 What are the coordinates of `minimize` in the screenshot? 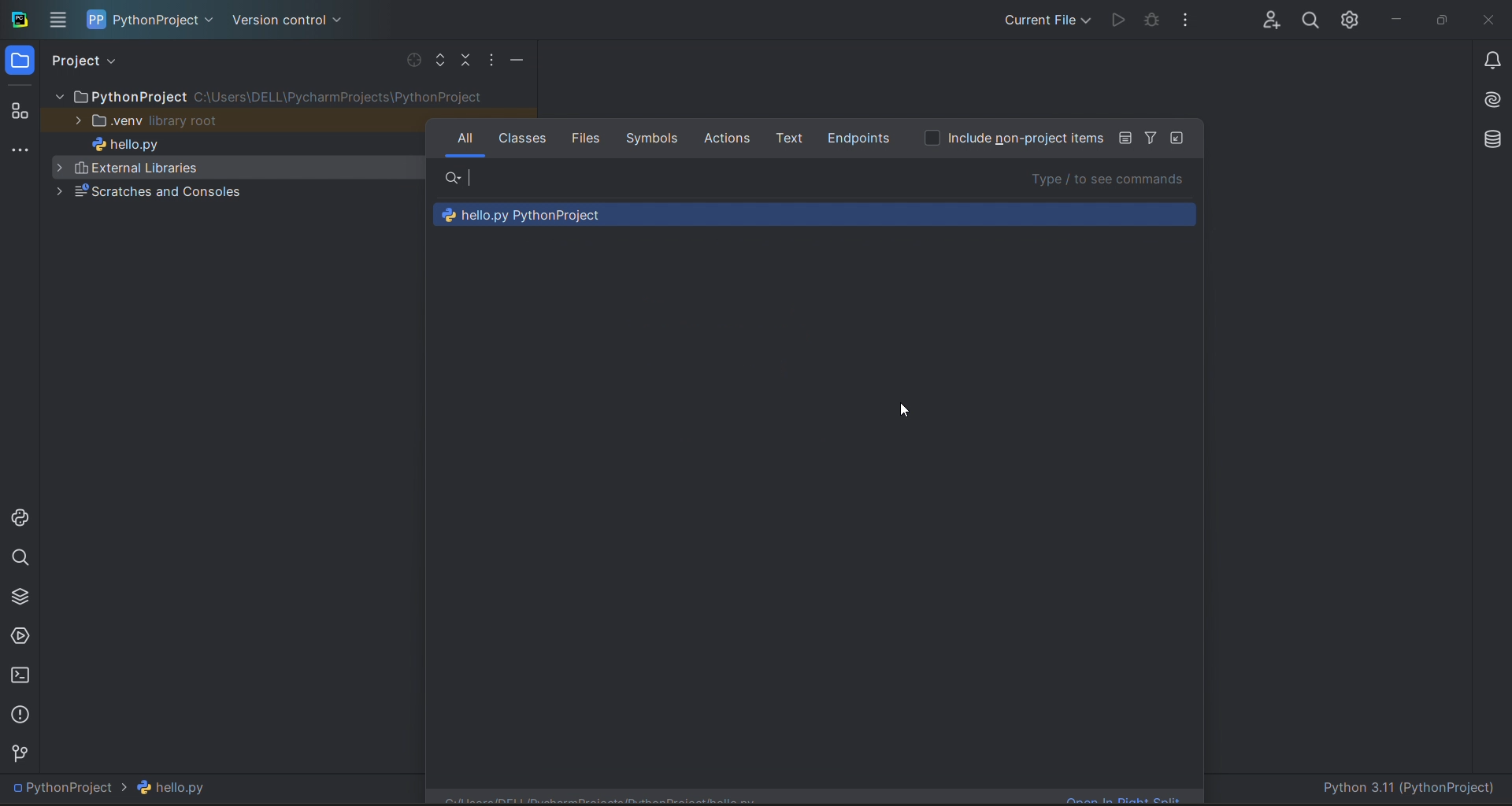 It's located at (517, 59).